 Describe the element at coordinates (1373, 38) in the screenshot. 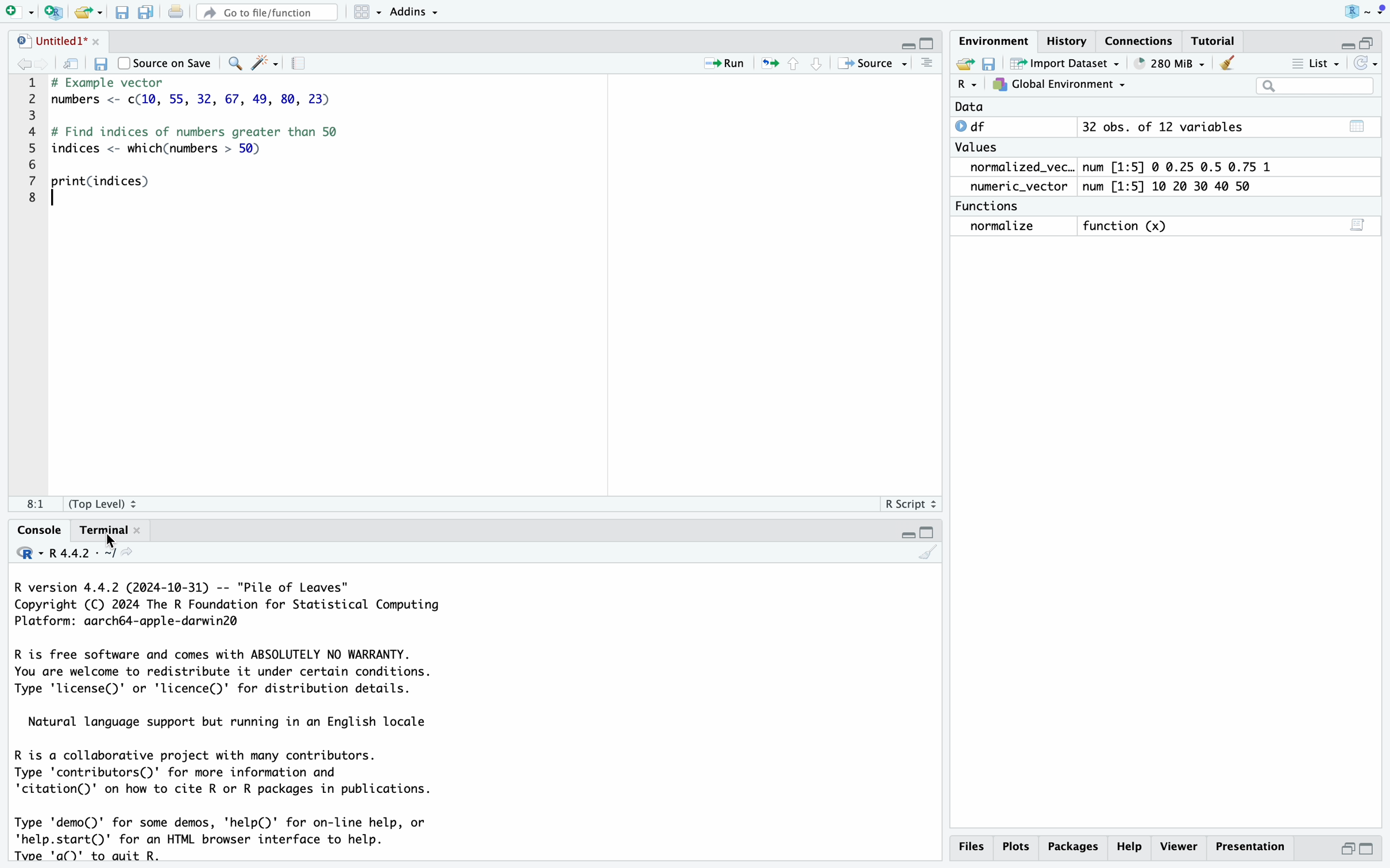

I see `MAXIMISE` at that location.